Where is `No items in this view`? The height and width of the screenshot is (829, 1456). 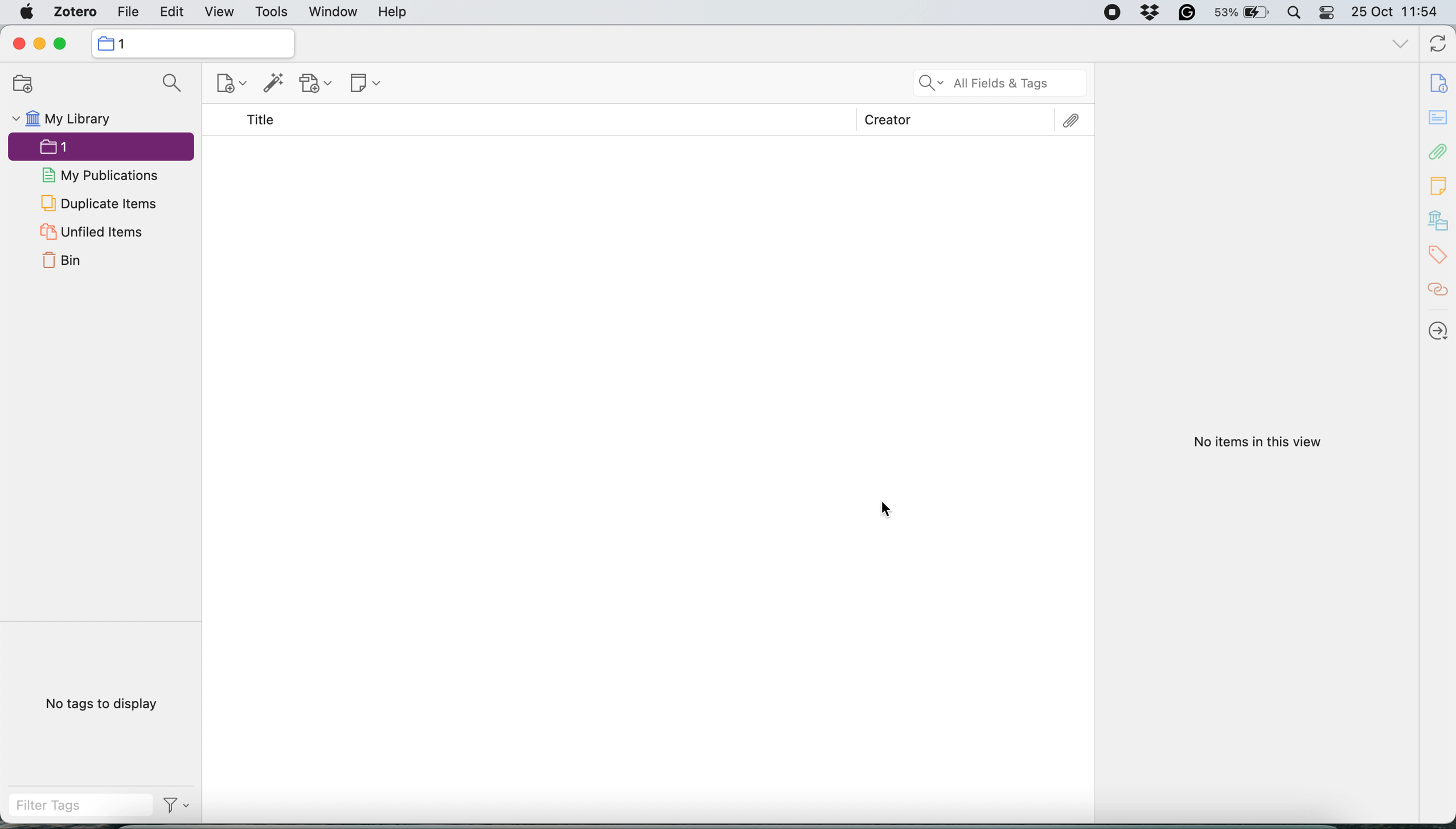 No items in this view is located at coordinates (1255, 442).